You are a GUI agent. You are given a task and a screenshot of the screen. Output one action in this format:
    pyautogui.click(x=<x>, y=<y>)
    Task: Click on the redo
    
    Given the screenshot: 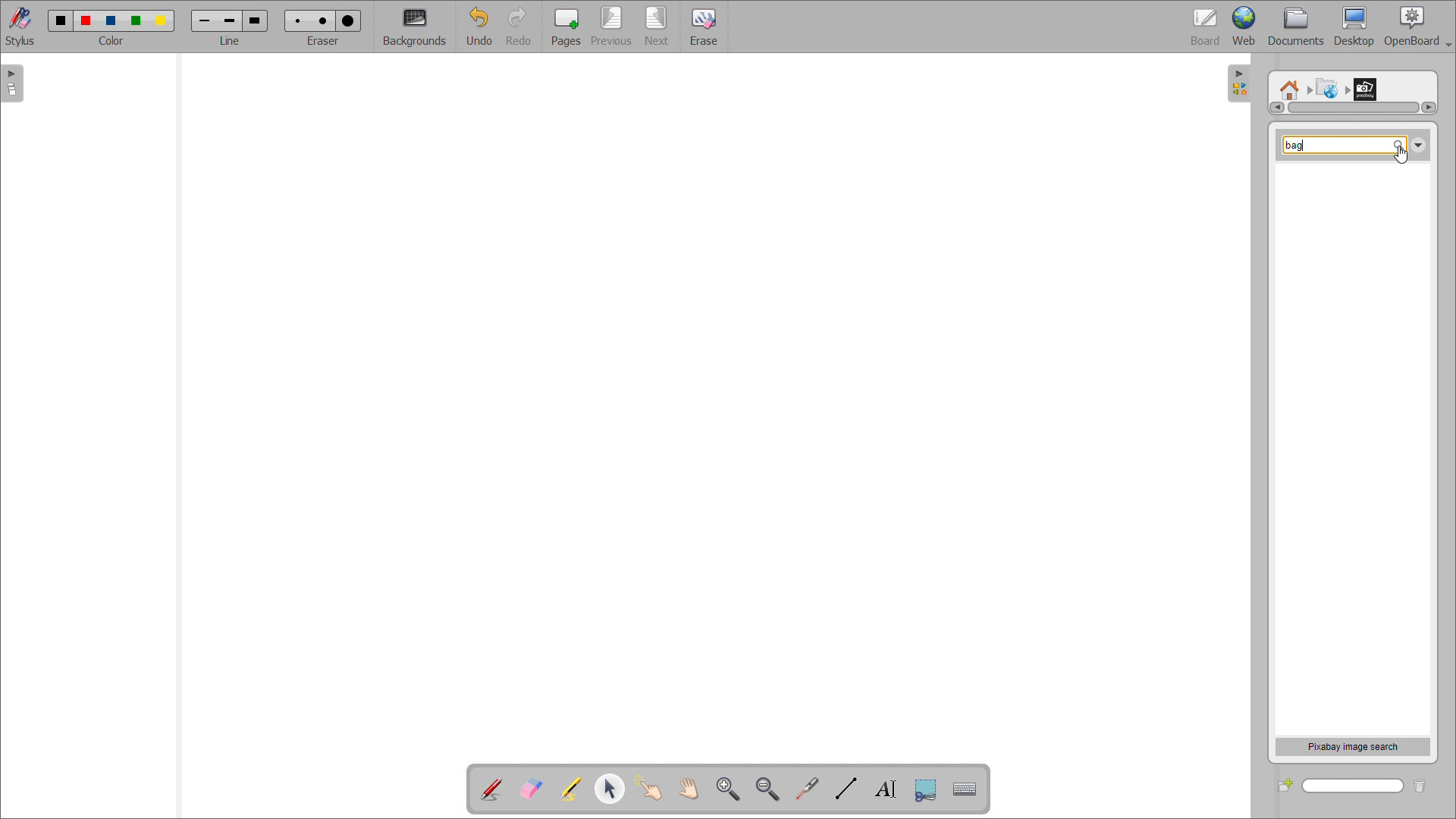 What is the action you would take?
    pyautogui.click(x=521, y=27)
    